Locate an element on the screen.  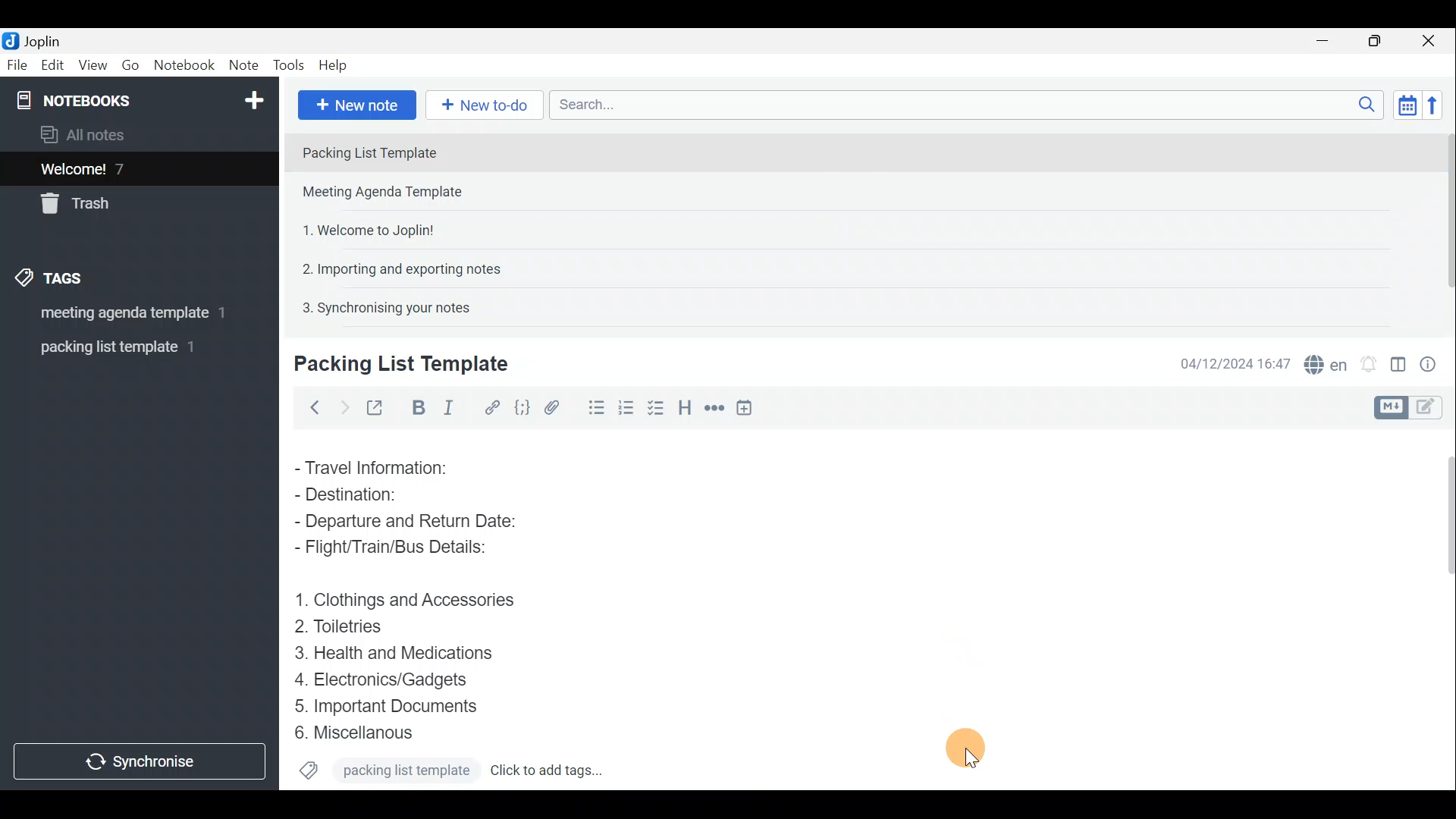
Go is located at coordinates (131, 65).